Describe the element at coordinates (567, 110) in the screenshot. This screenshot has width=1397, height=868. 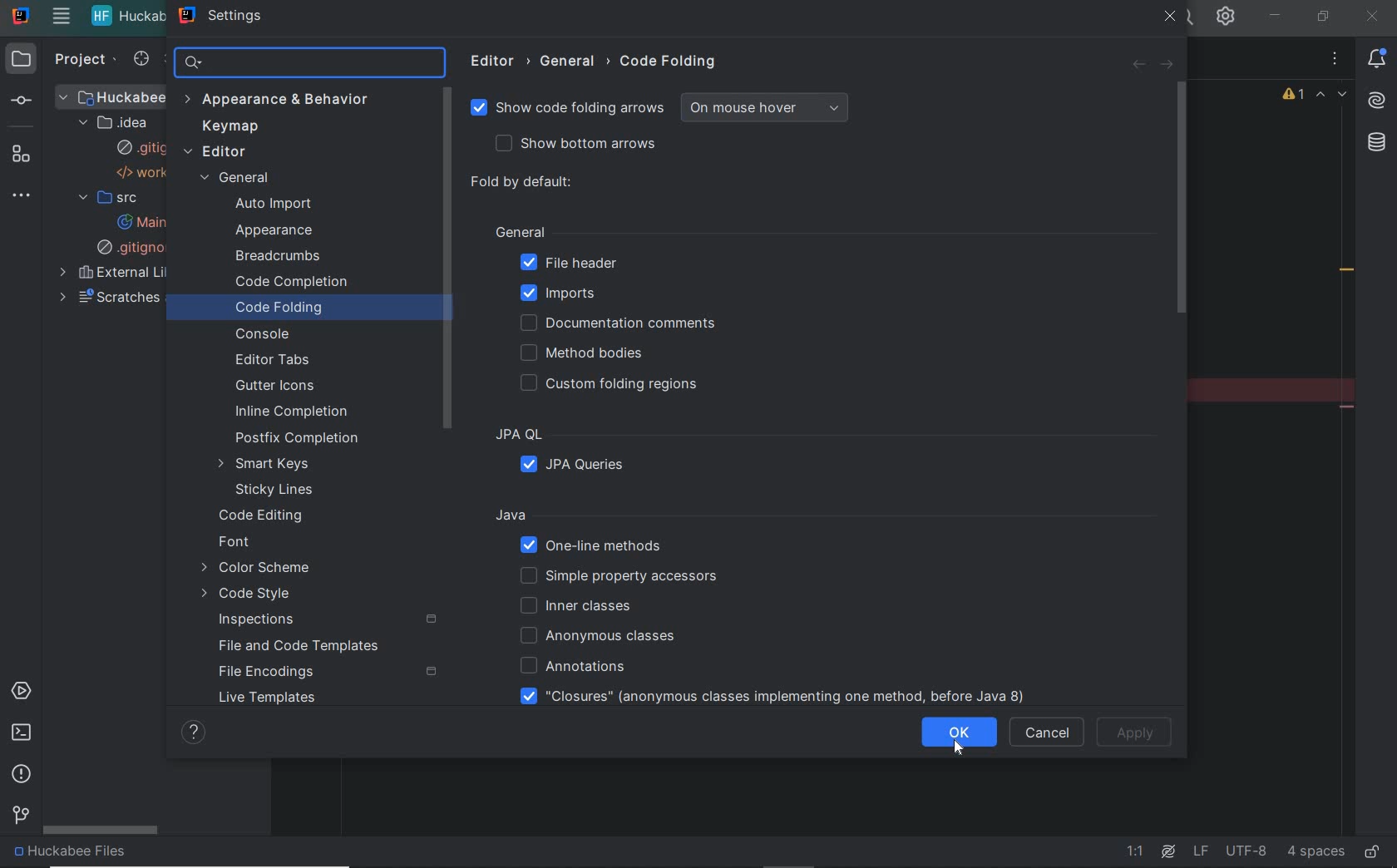
I see `show code folding arrows selected` at that location.